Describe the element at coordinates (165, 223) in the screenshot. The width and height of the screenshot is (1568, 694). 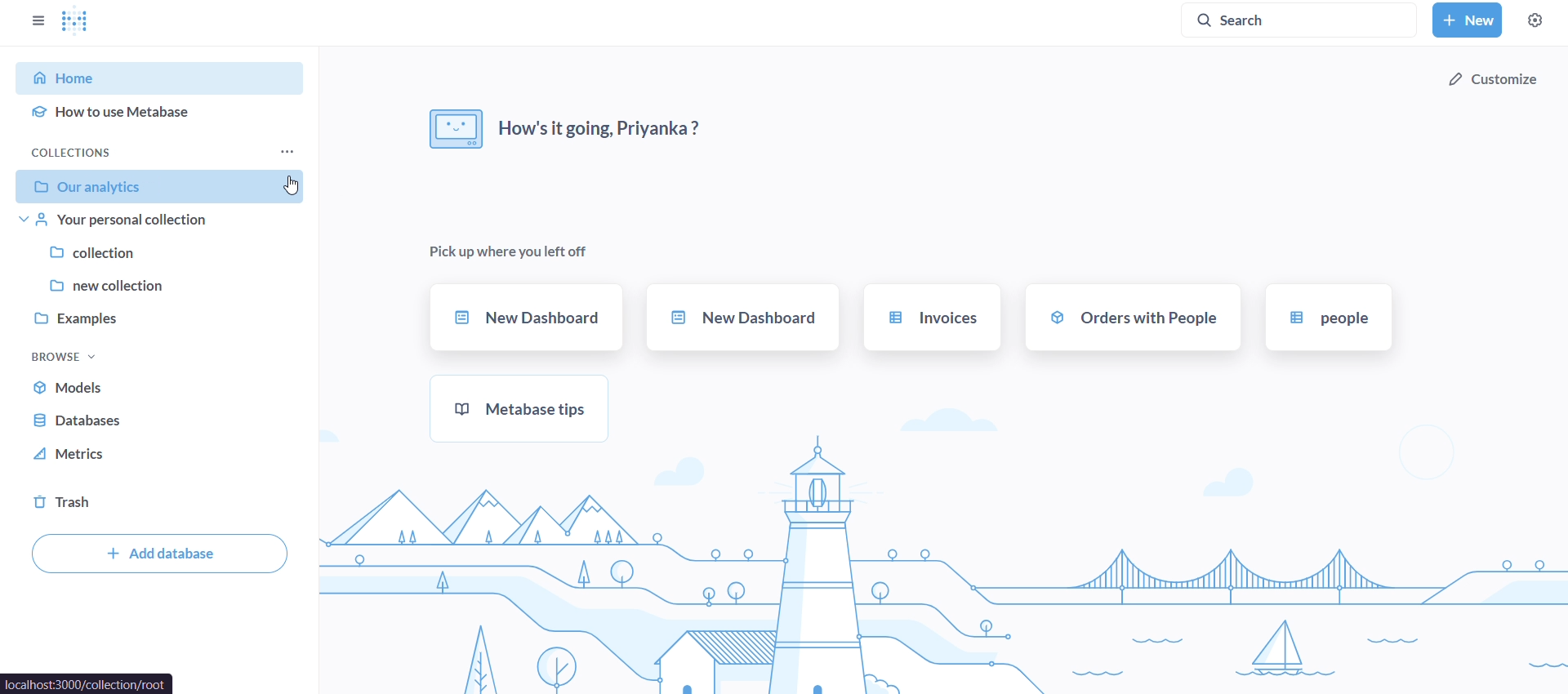
I see `your personal collection` at that location.